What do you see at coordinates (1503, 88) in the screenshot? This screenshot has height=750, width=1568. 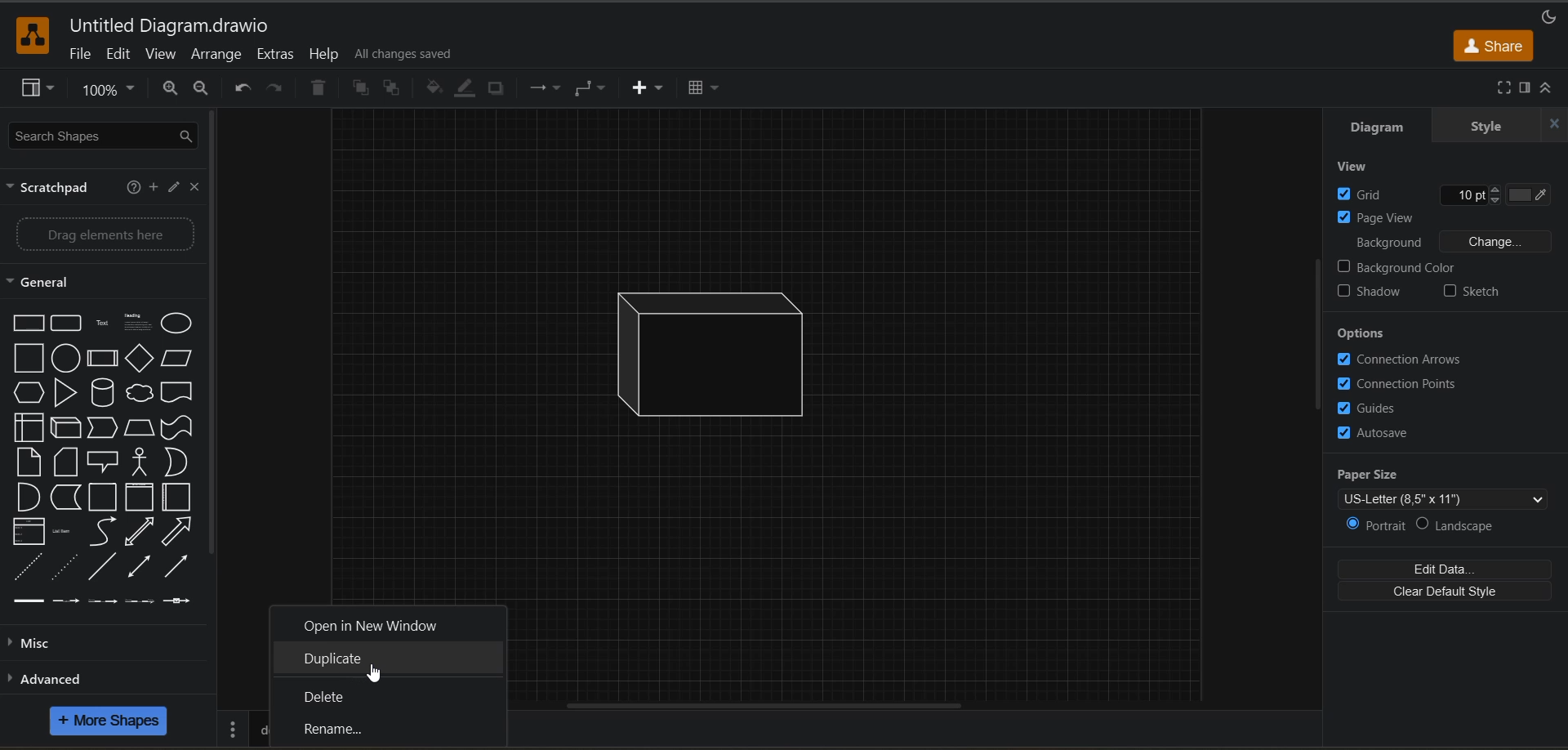 I see `fullscreen` at bounding box center [1503, 88].